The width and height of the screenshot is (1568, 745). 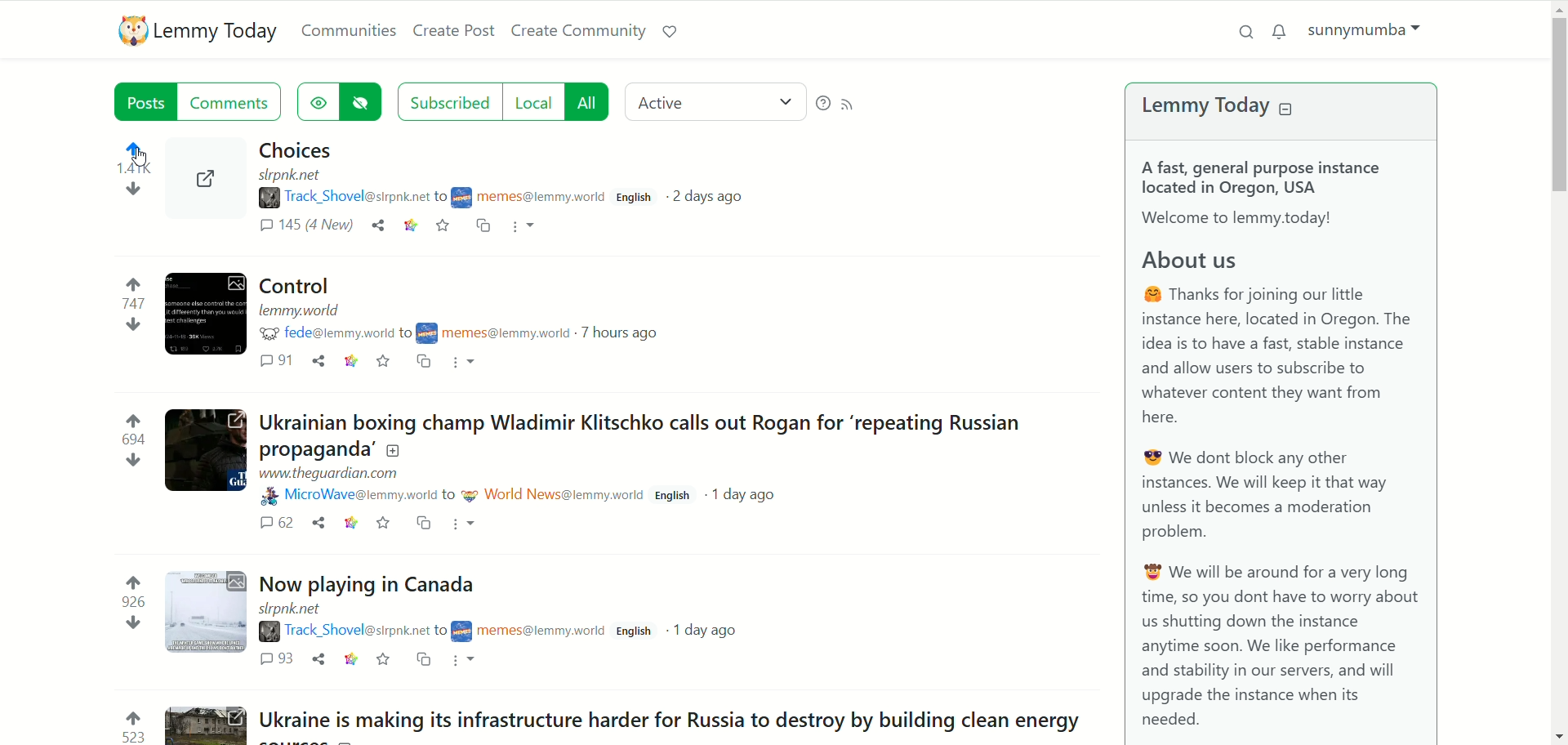 What do you see at coordinates (134, 304) in the screenshot?
I see `747` at bounding box center [134, 304].